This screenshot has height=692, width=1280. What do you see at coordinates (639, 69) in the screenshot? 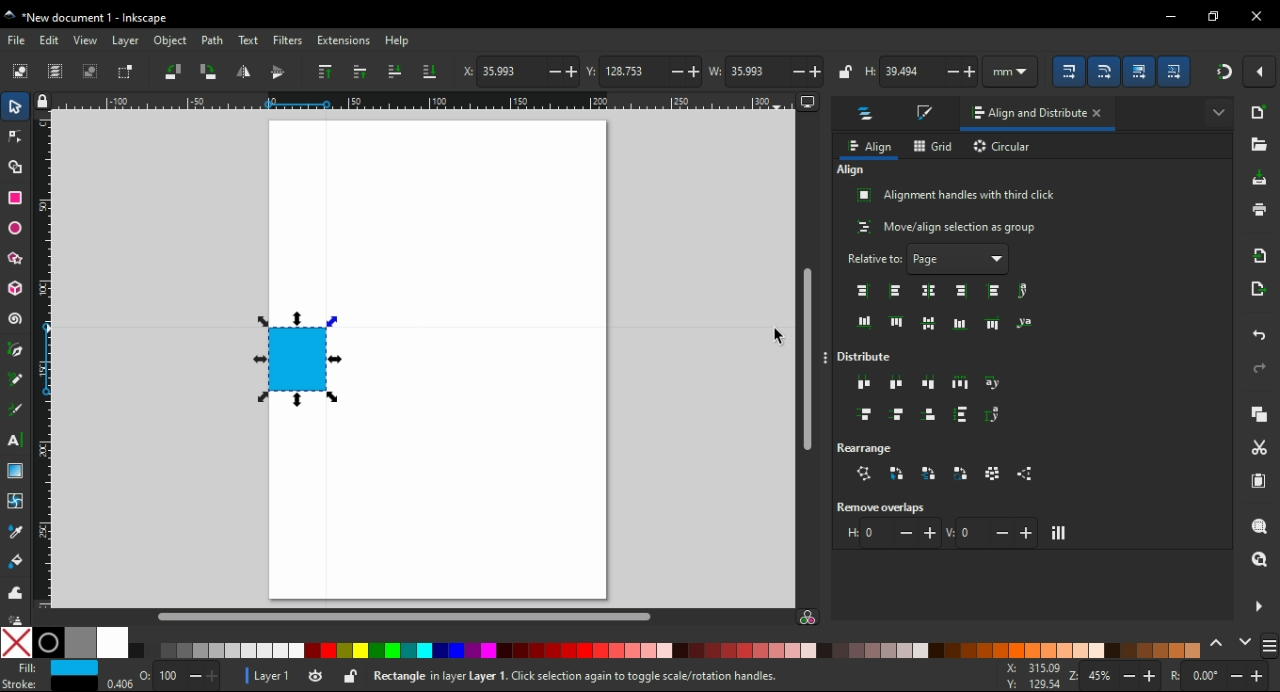
I see `vertical coordinate of selection` at bounding box center [639, 69].